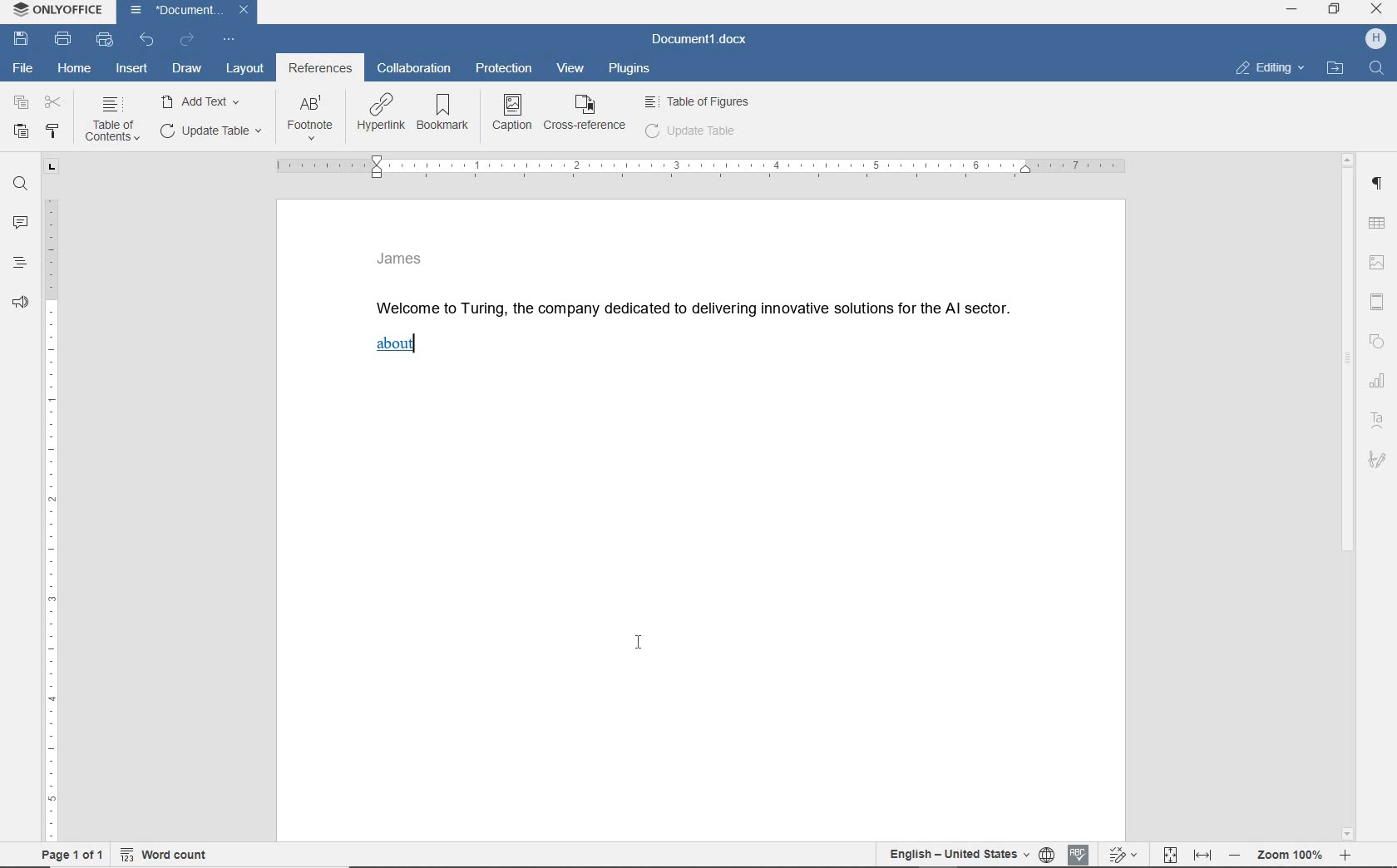  I want to click on James, so click(401, 257).